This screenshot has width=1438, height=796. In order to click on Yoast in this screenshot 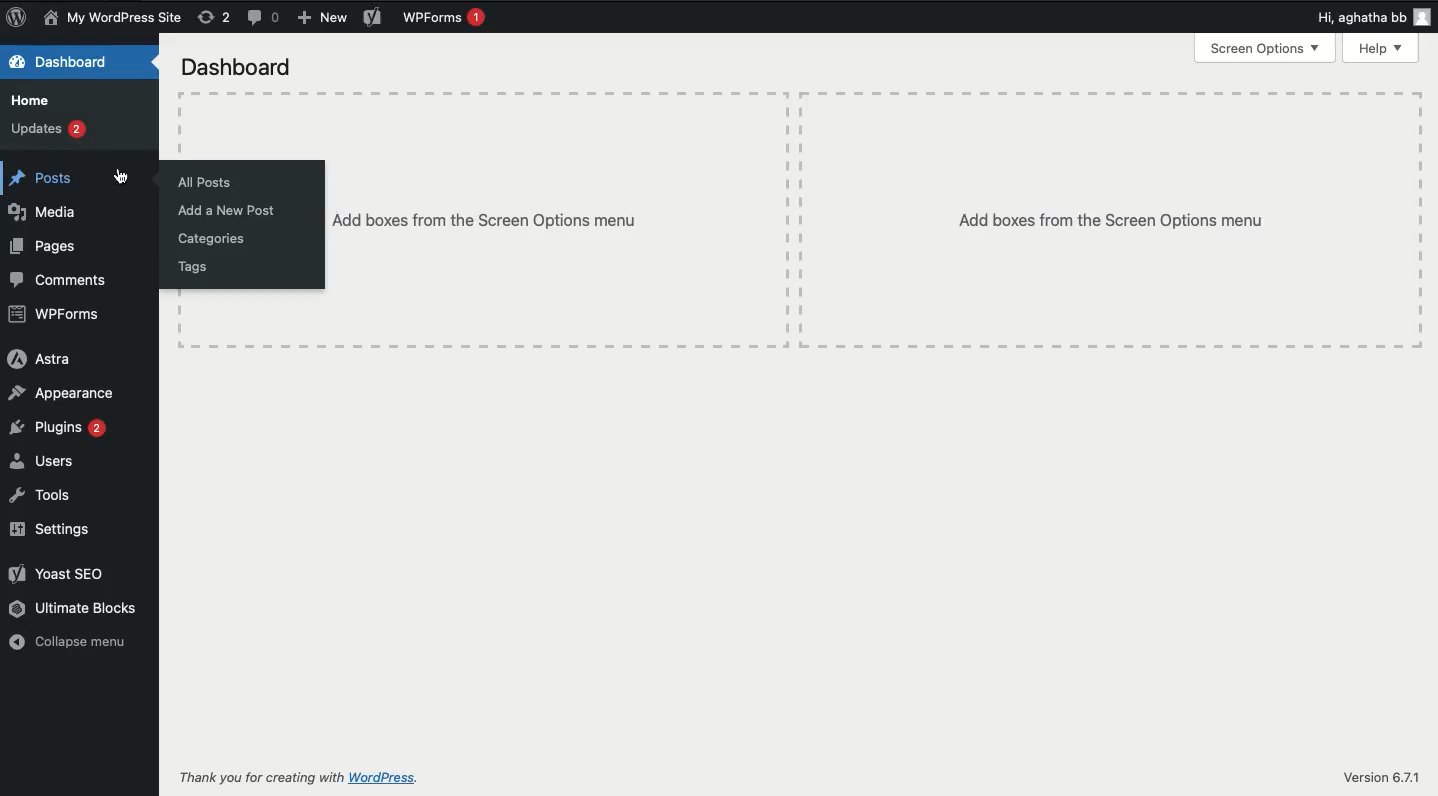, I will do `click(372, 15)`.